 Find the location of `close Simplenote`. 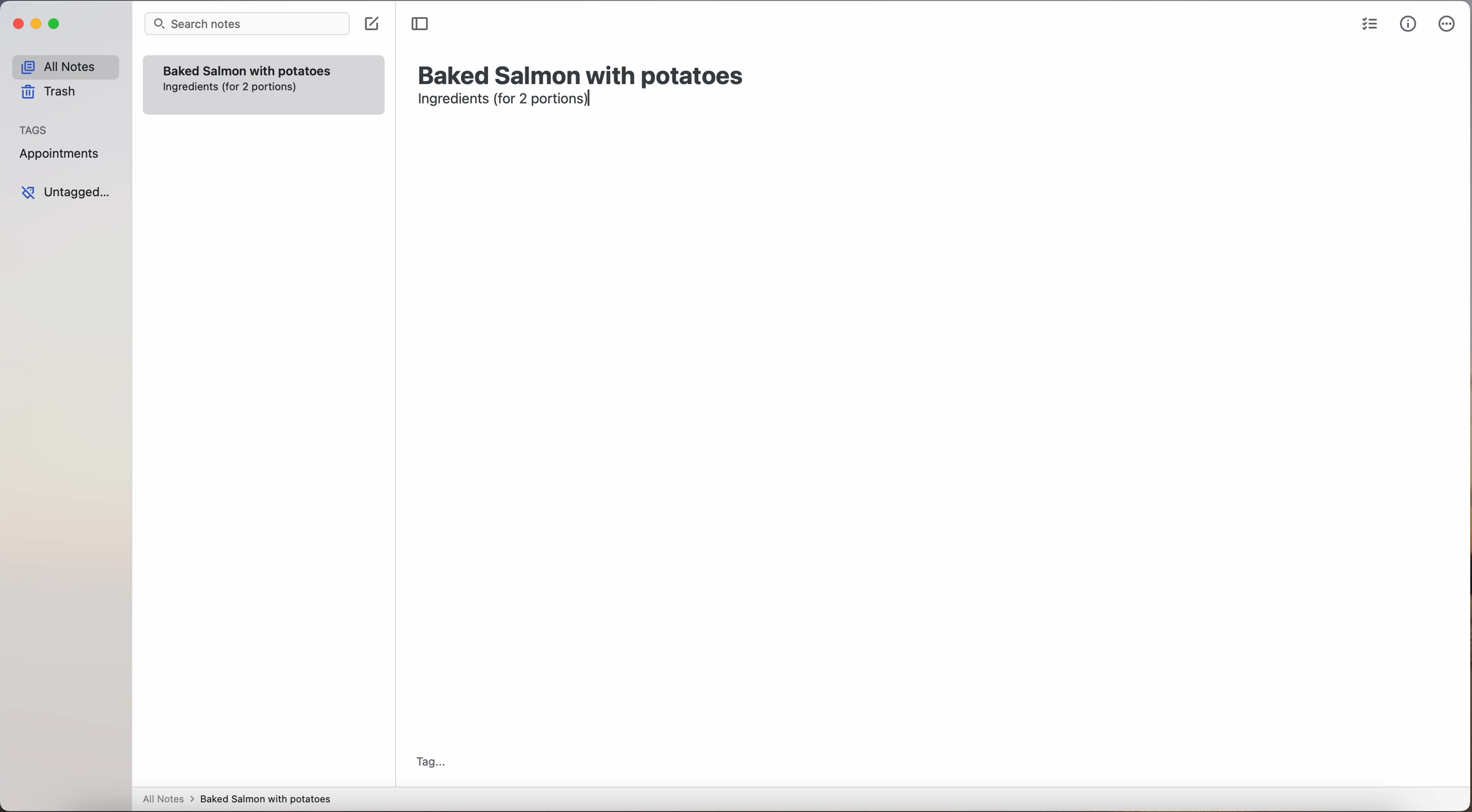

close Simplenote is located at coordinates (17, 25).